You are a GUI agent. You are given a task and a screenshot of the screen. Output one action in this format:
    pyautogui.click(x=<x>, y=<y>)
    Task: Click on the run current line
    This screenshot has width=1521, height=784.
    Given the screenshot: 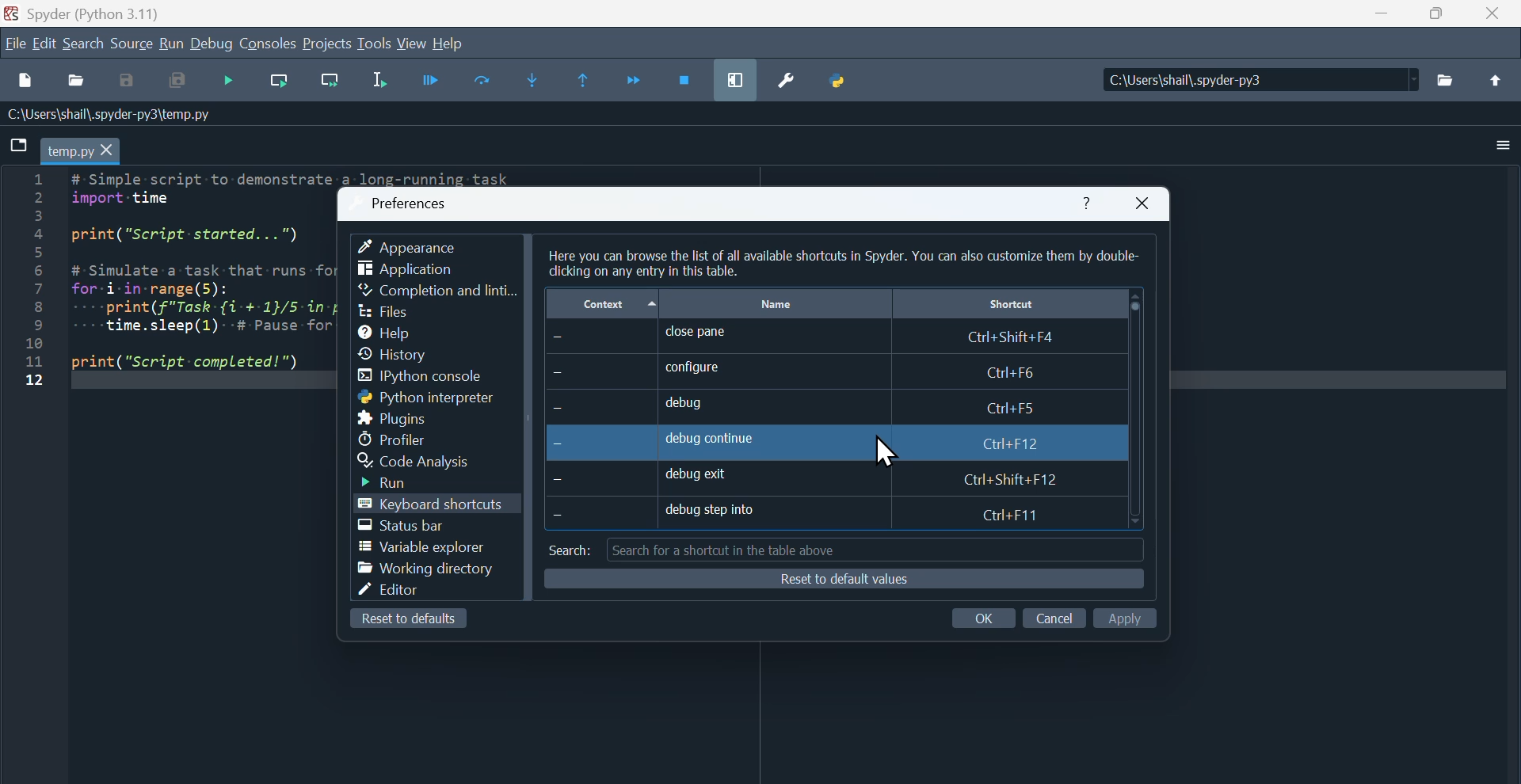 What is the action you would take?
    pyautogui.click(x=279, y=84)
    